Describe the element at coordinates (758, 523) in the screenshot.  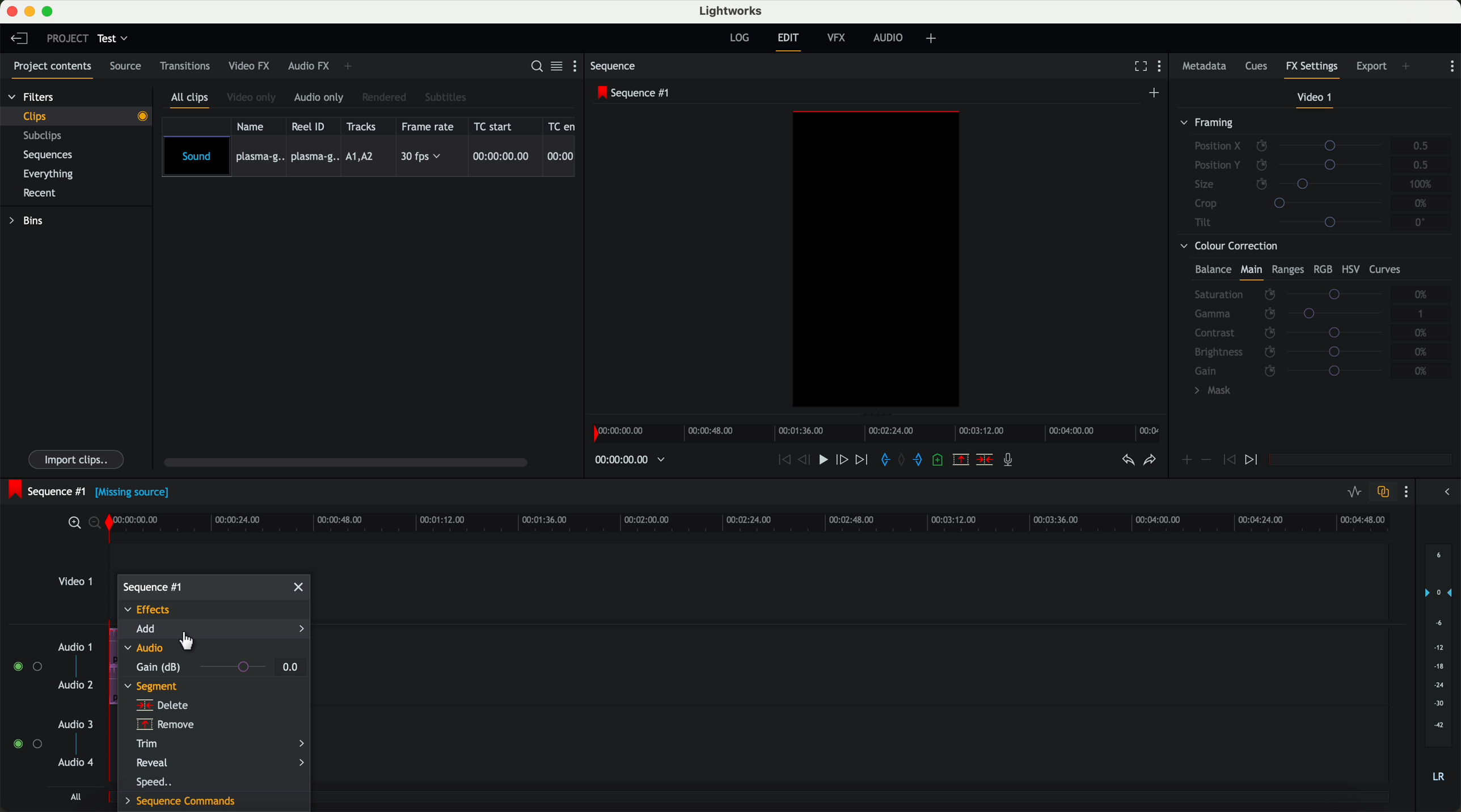
I see `timeline` at that location.